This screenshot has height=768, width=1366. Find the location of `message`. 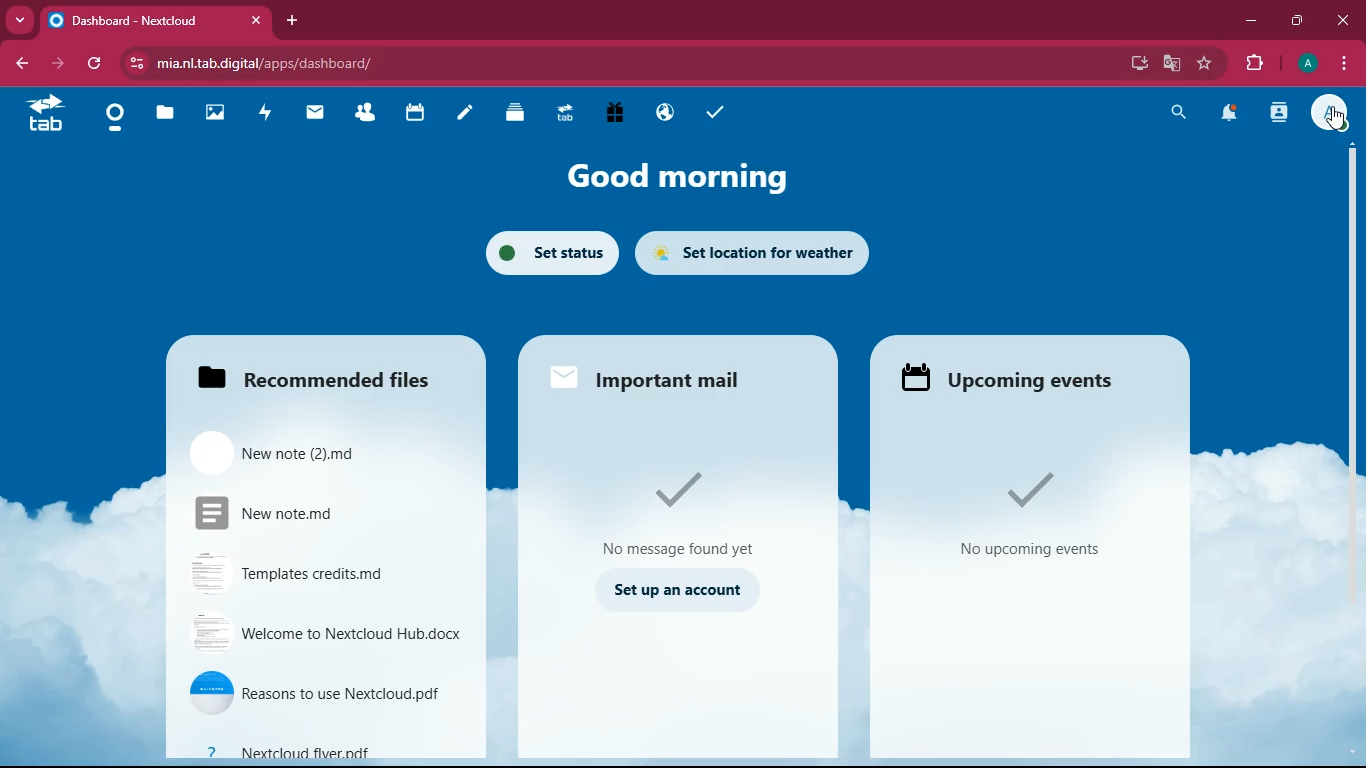

message is located at coordinates (679, 510).